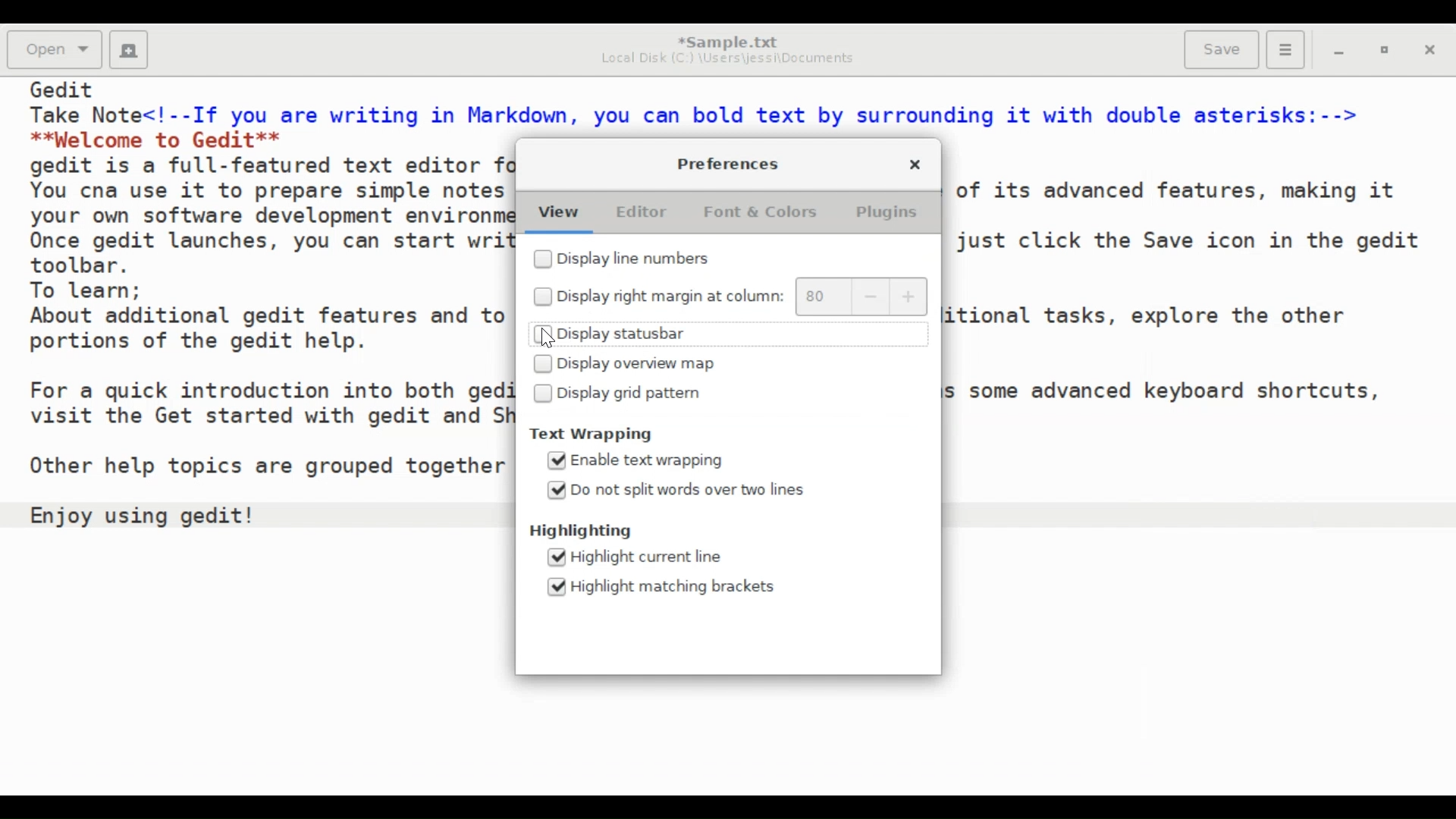  Describe the element at coordinates (989, 780) in the screenshot. I see `Highlight Mode: Markdown` at that location.